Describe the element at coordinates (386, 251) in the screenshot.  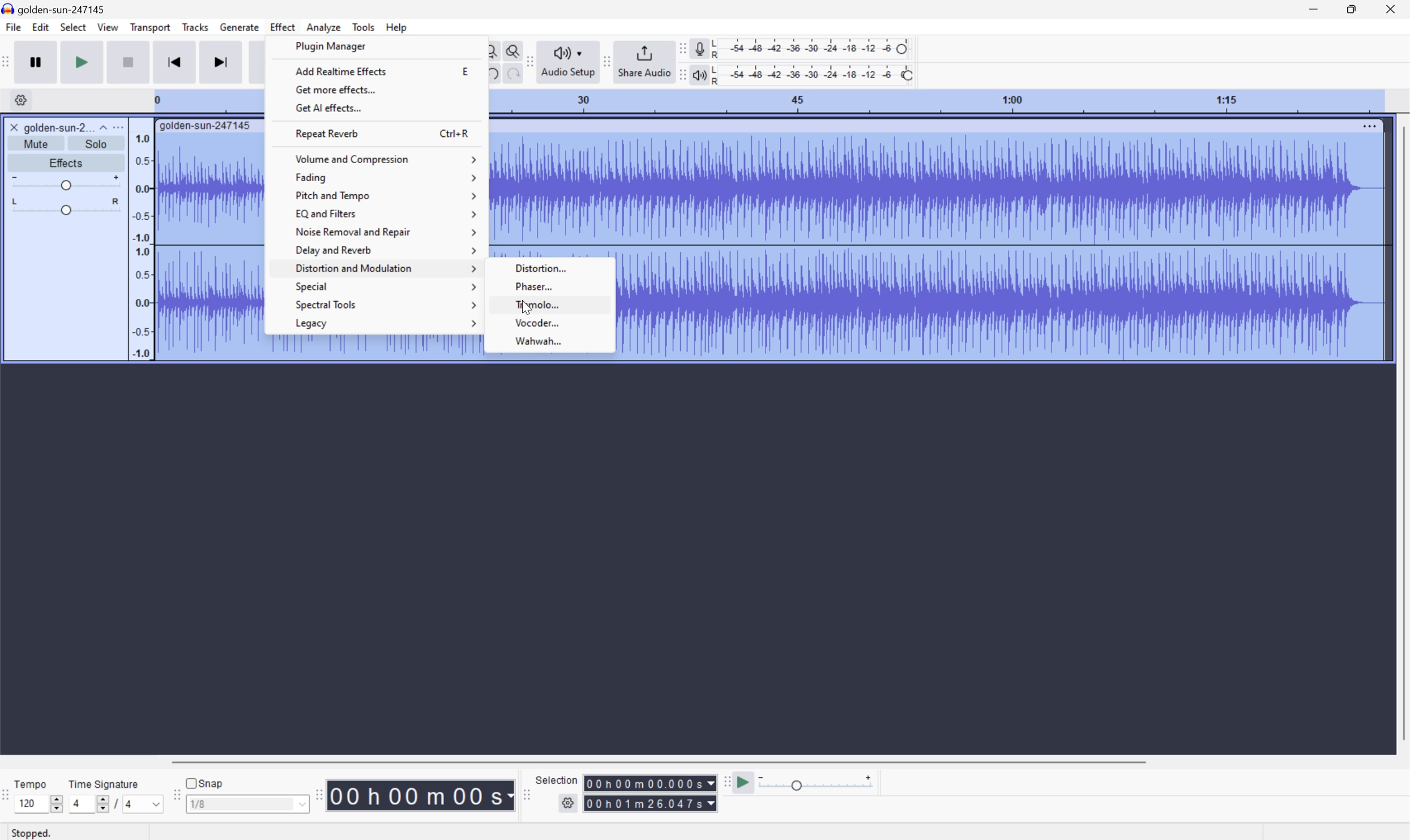
I see `Delay and reverb` at that location.